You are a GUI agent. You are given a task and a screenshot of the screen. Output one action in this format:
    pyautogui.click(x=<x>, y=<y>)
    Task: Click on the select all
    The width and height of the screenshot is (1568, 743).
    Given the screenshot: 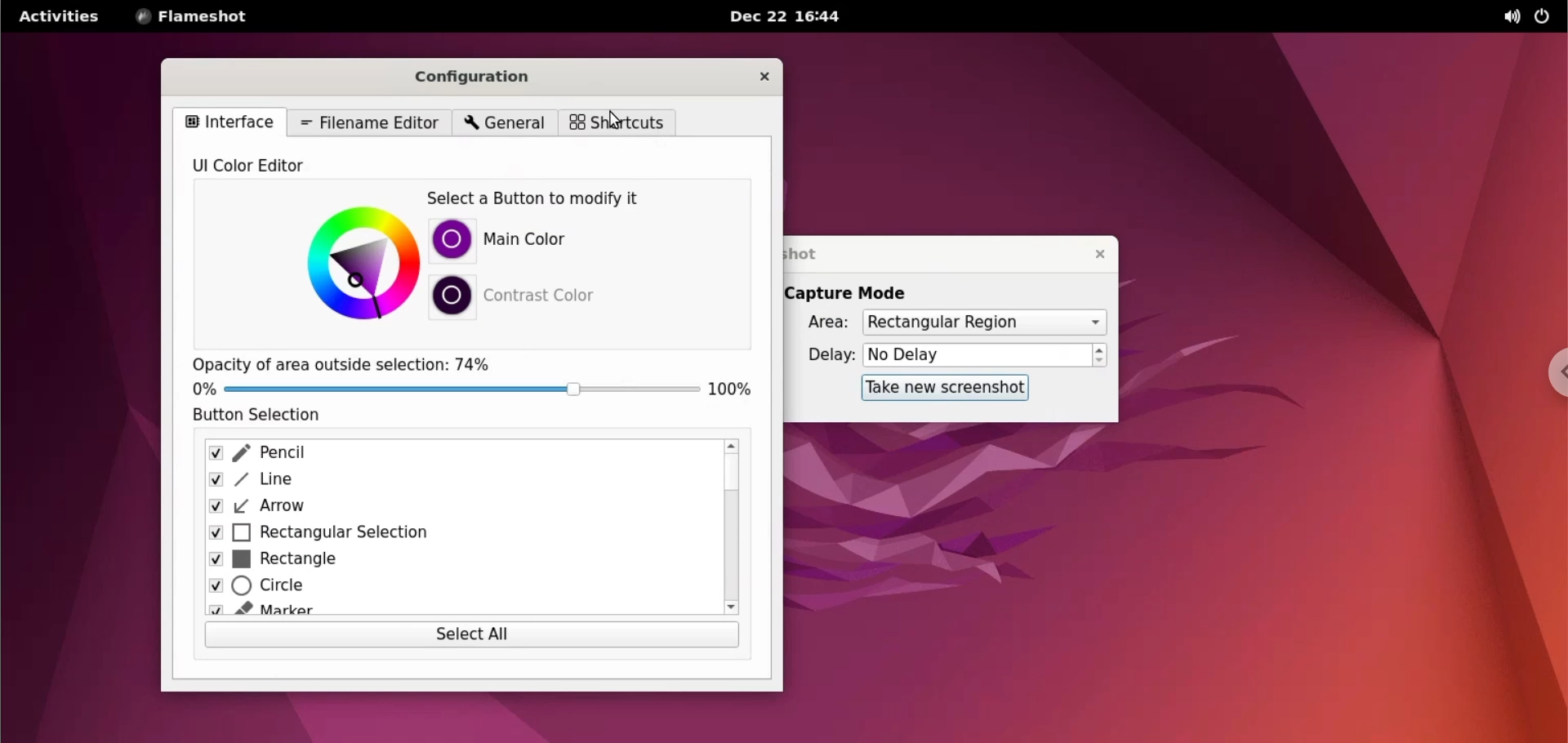 What is the action you would take?
    pyautogui.click(x=474, y=636)
    